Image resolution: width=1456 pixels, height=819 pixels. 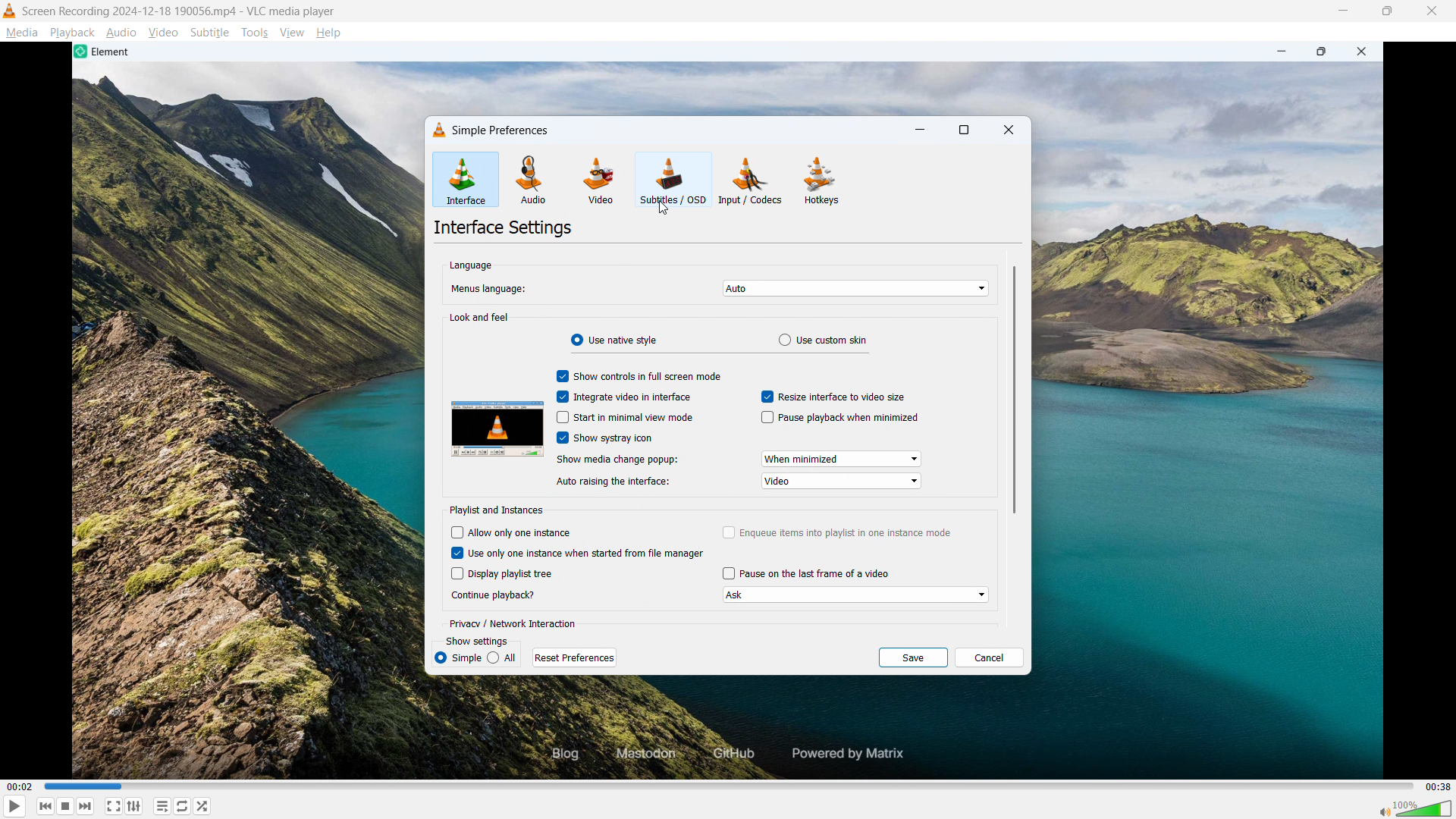 What do you see at coordinates (614, 438) in the screenshot?
I see `Show system tray icon ` at bounding box center [614, 438].